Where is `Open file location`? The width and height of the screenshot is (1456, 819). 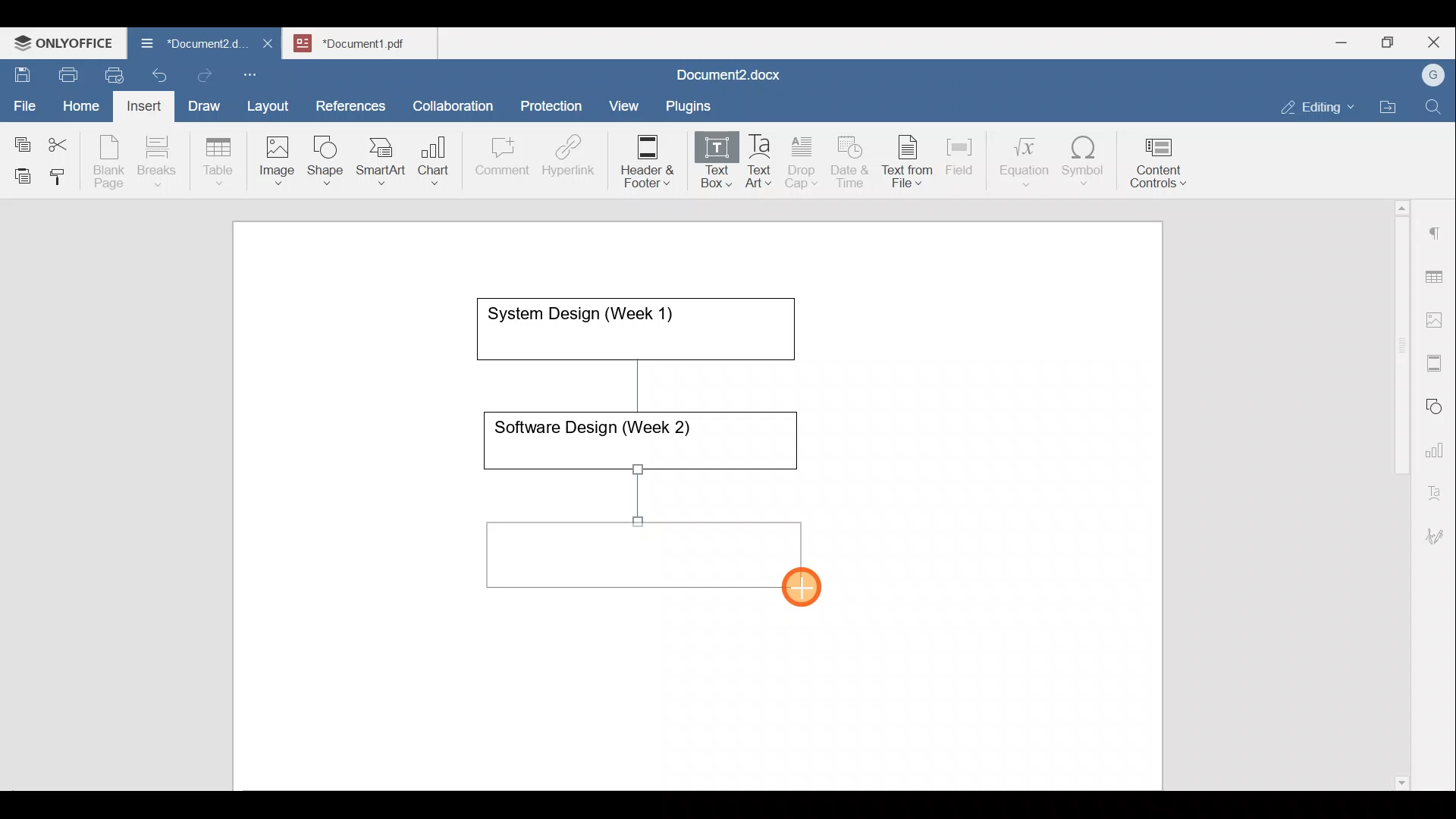
Open file location is located at coordinates (1392, 108).